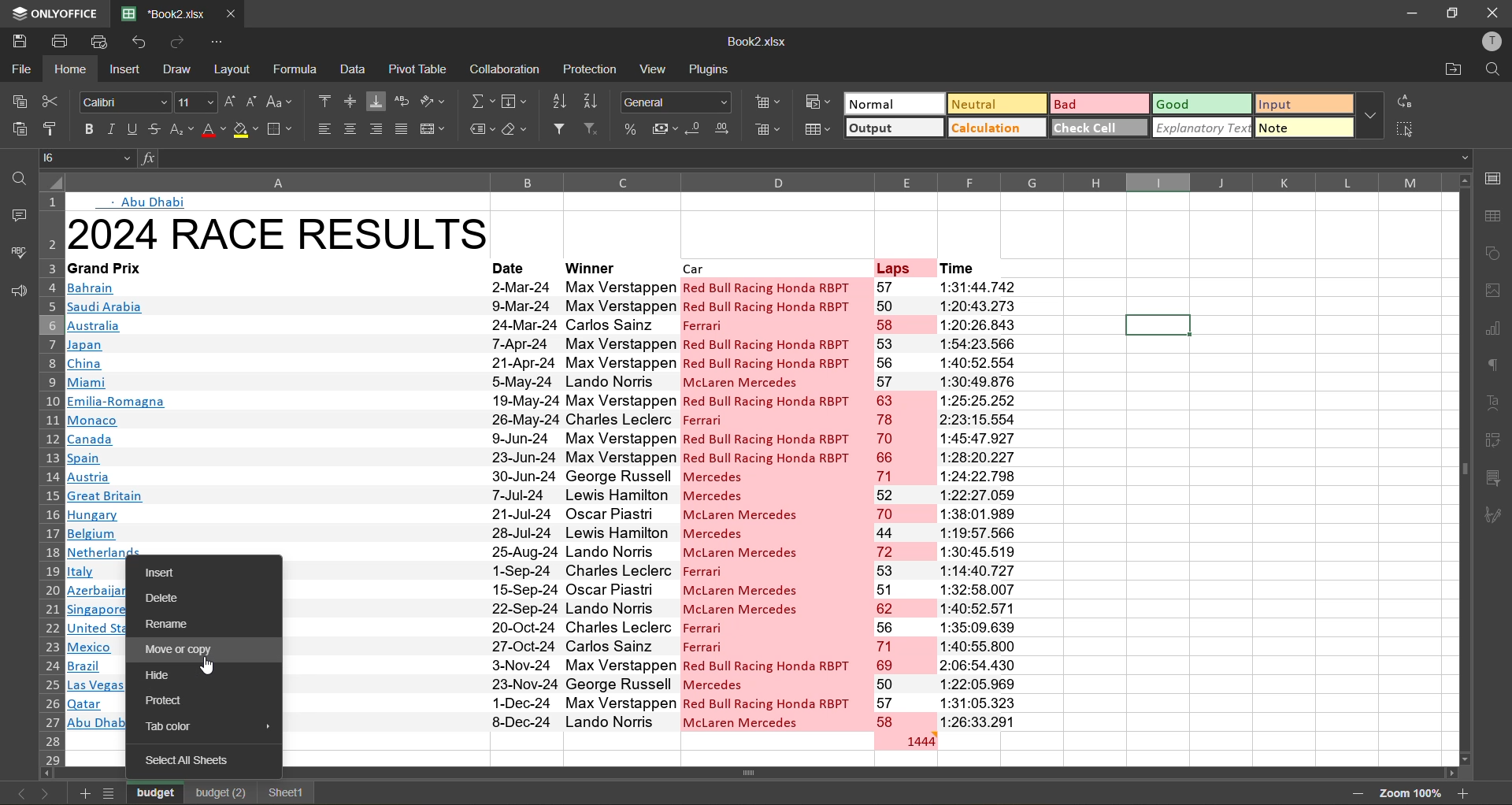 This screenshot has width=1512, height=805. I want to click on file name, so click(756, 45).